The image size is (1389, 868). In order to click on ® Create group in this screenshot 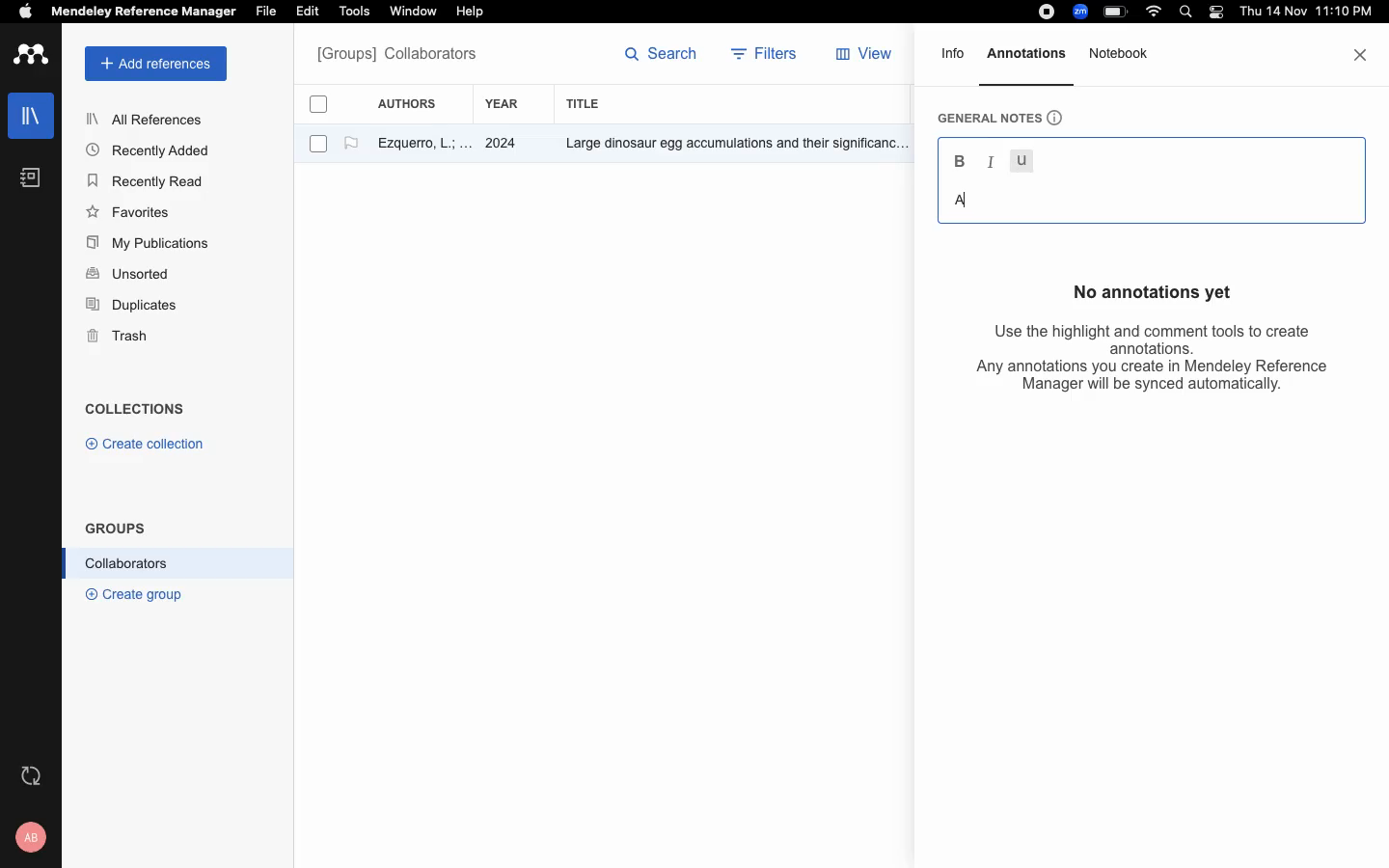, I will do `click(130, 593)`.